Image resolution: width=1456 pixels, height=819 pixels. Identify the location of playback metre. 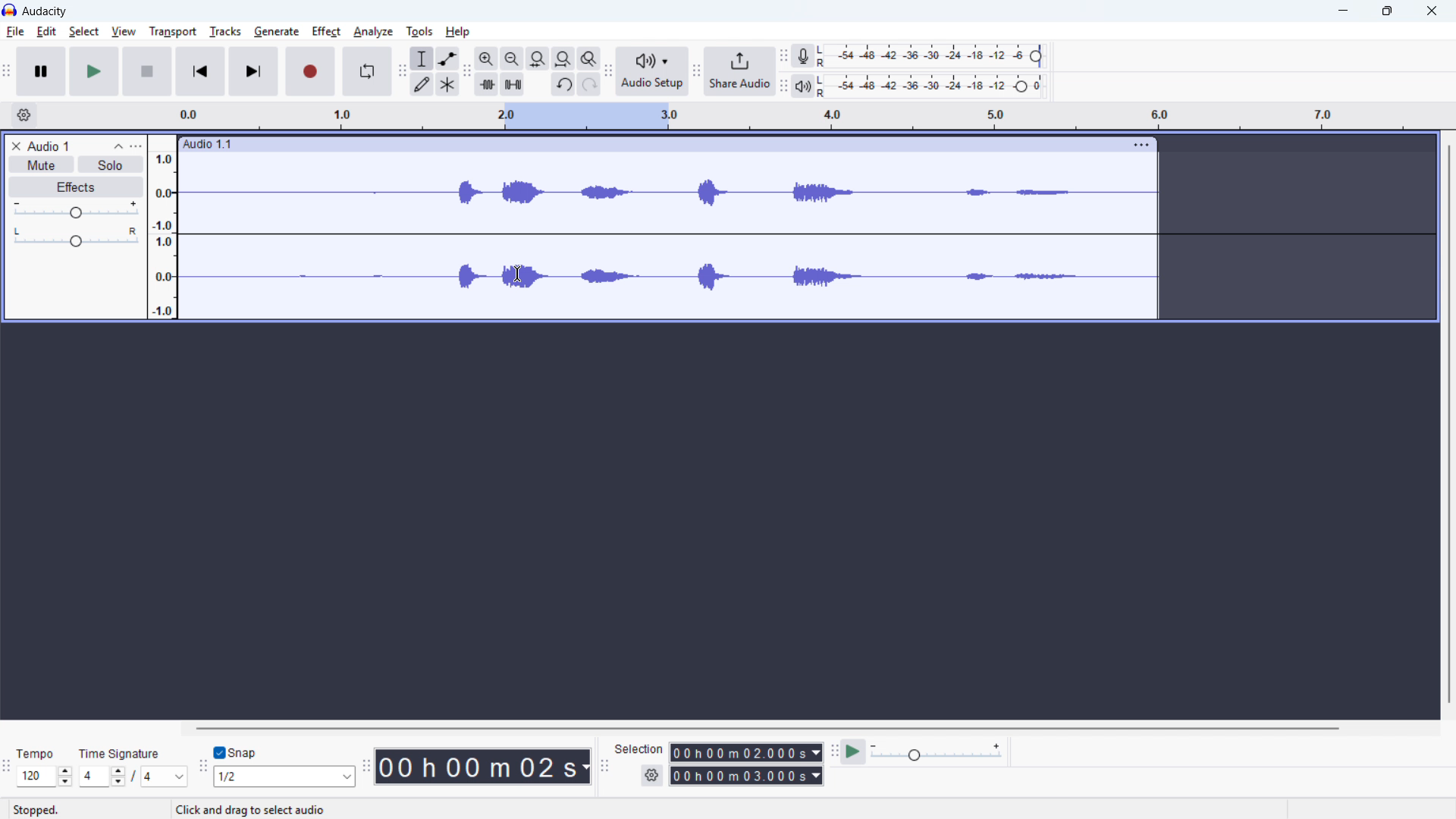
(802, 86).